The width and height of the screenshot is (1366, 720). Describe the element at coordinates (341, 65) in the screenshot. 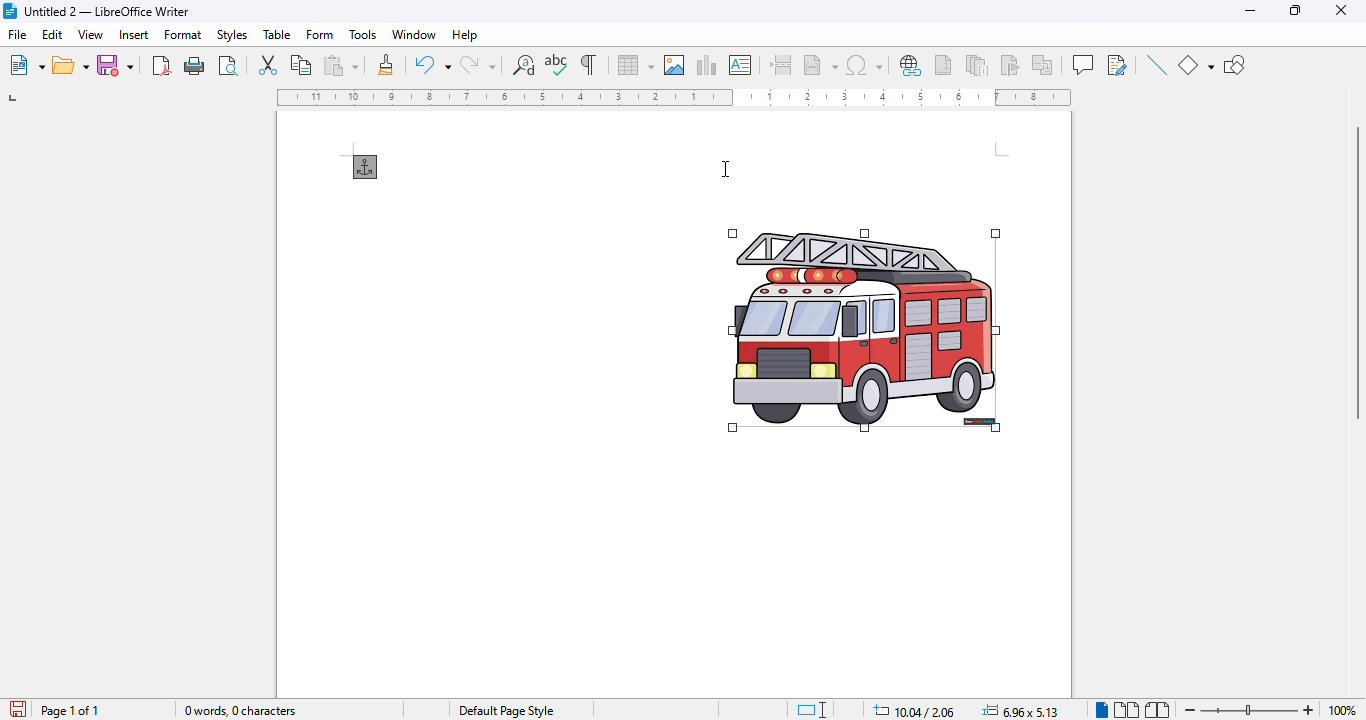

I see `paste` at that location.